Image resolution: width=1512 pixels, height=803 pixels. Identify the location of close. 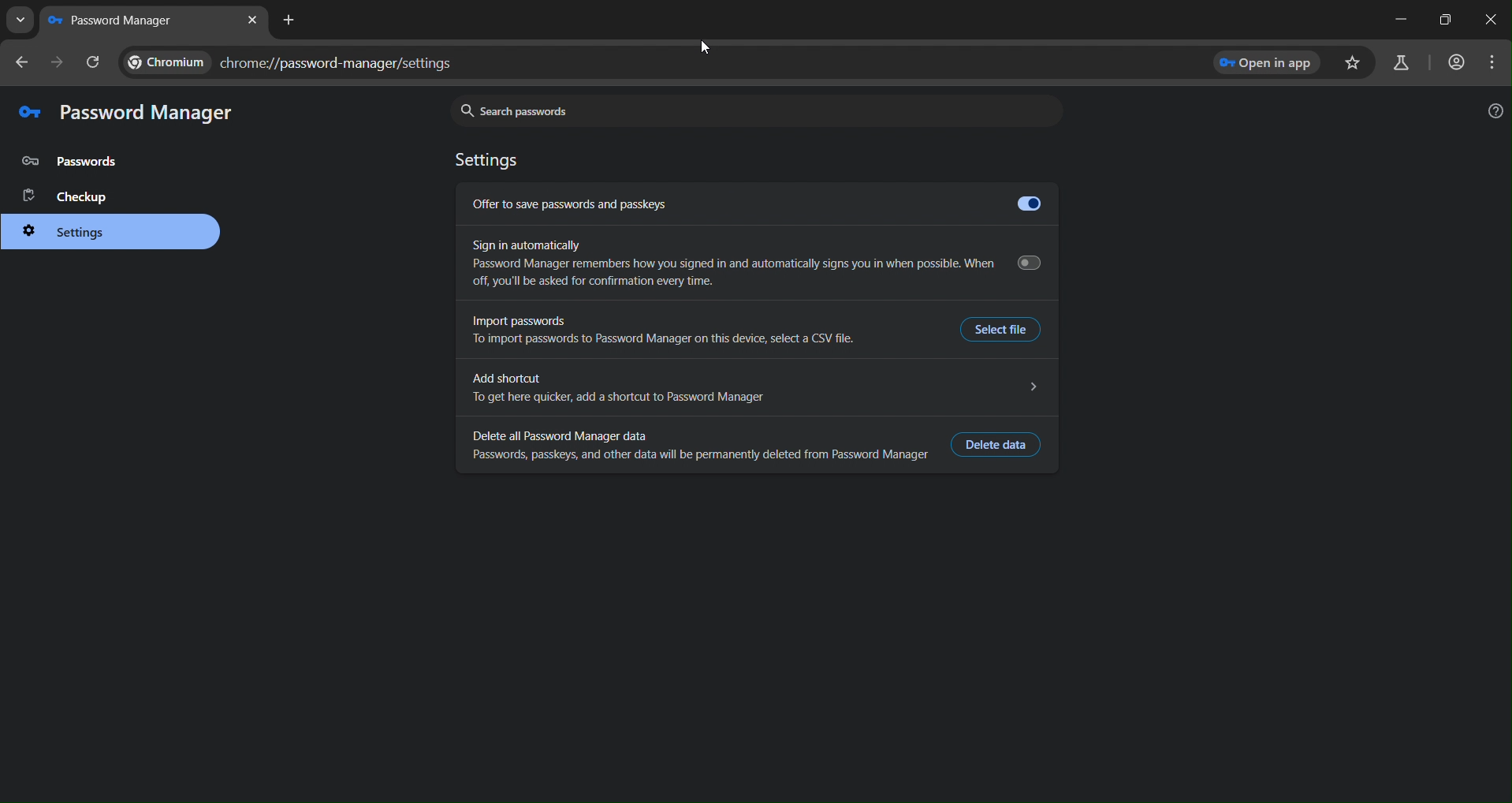
(1492, 21).